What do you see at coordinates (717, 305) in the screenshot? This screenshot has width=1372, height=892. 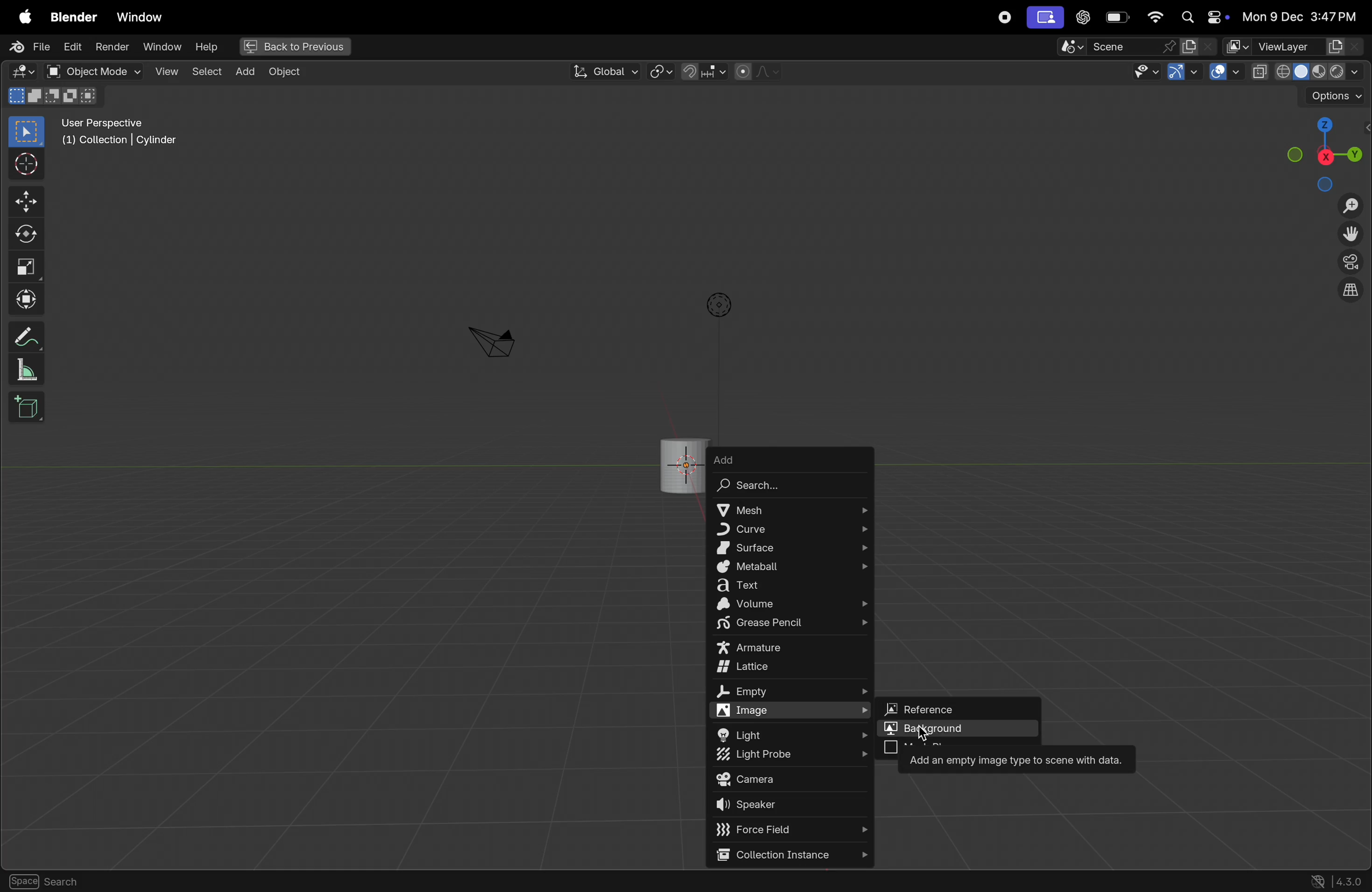 I see `options` at bounding box center [717, 305].